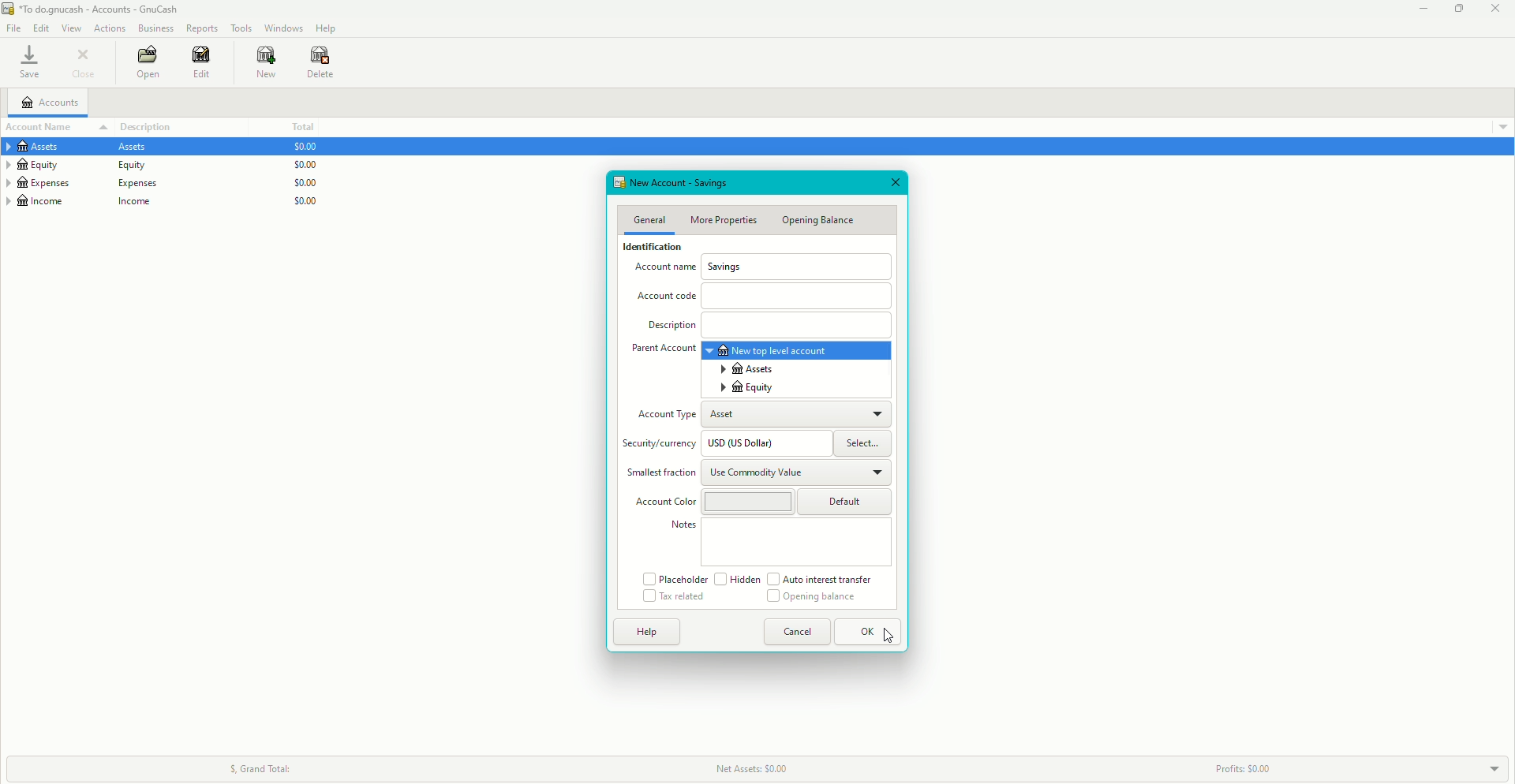 This screenshot has width=1515, height=784. What do you see at coordinates (661, 446) in the screenshot?
I see `Security/currency` at bounding box center [661, 446].